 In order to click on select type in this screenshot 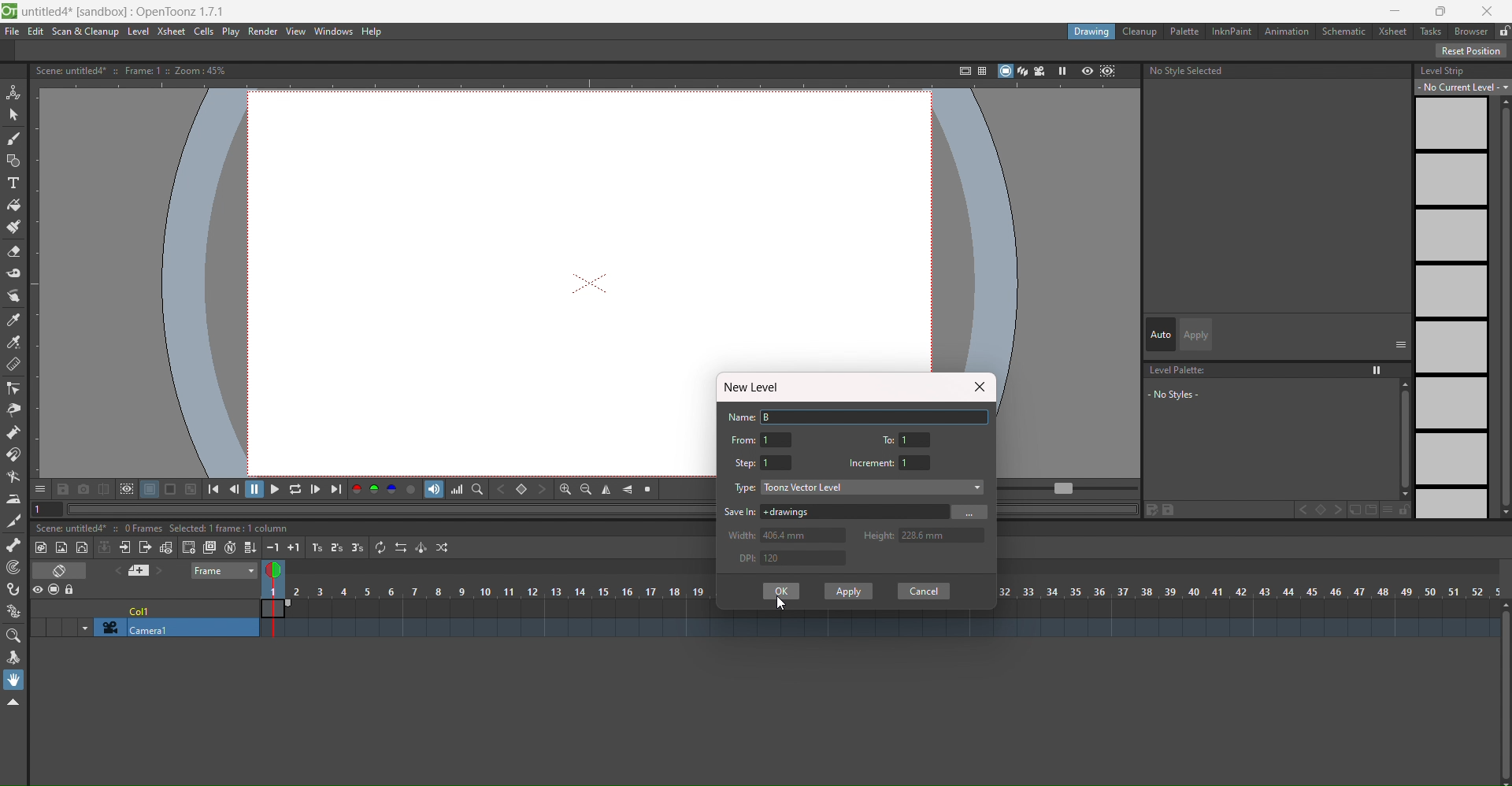, I will do `click(874, 487)`.